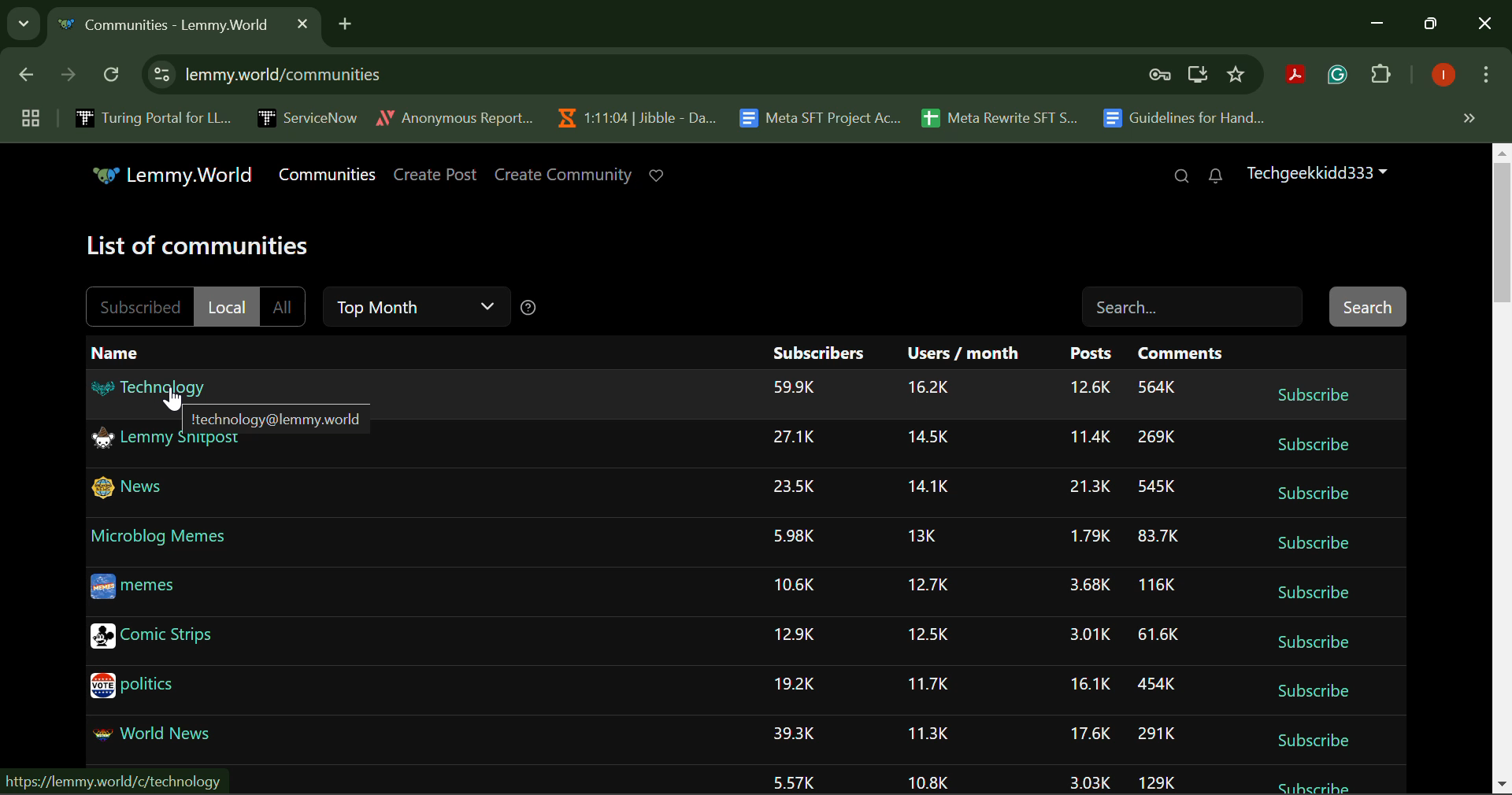  What do you see at coordinates (135, 690) in the screenshot?
I see `politics Community Link` at bounding box center [135, 690].